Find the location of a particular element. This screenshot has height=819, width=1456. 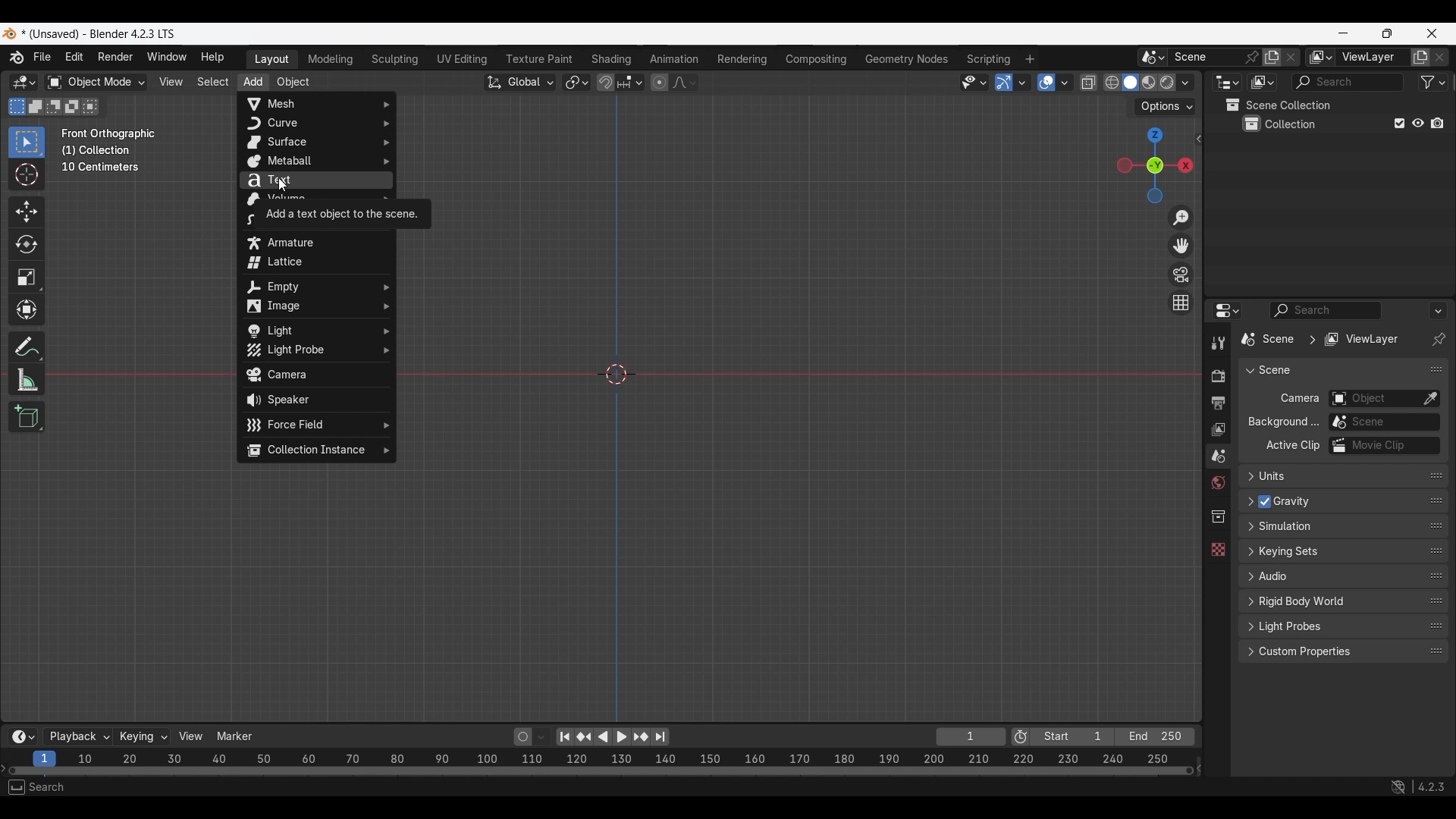

Mesh options is located at coordinates (317, 104).